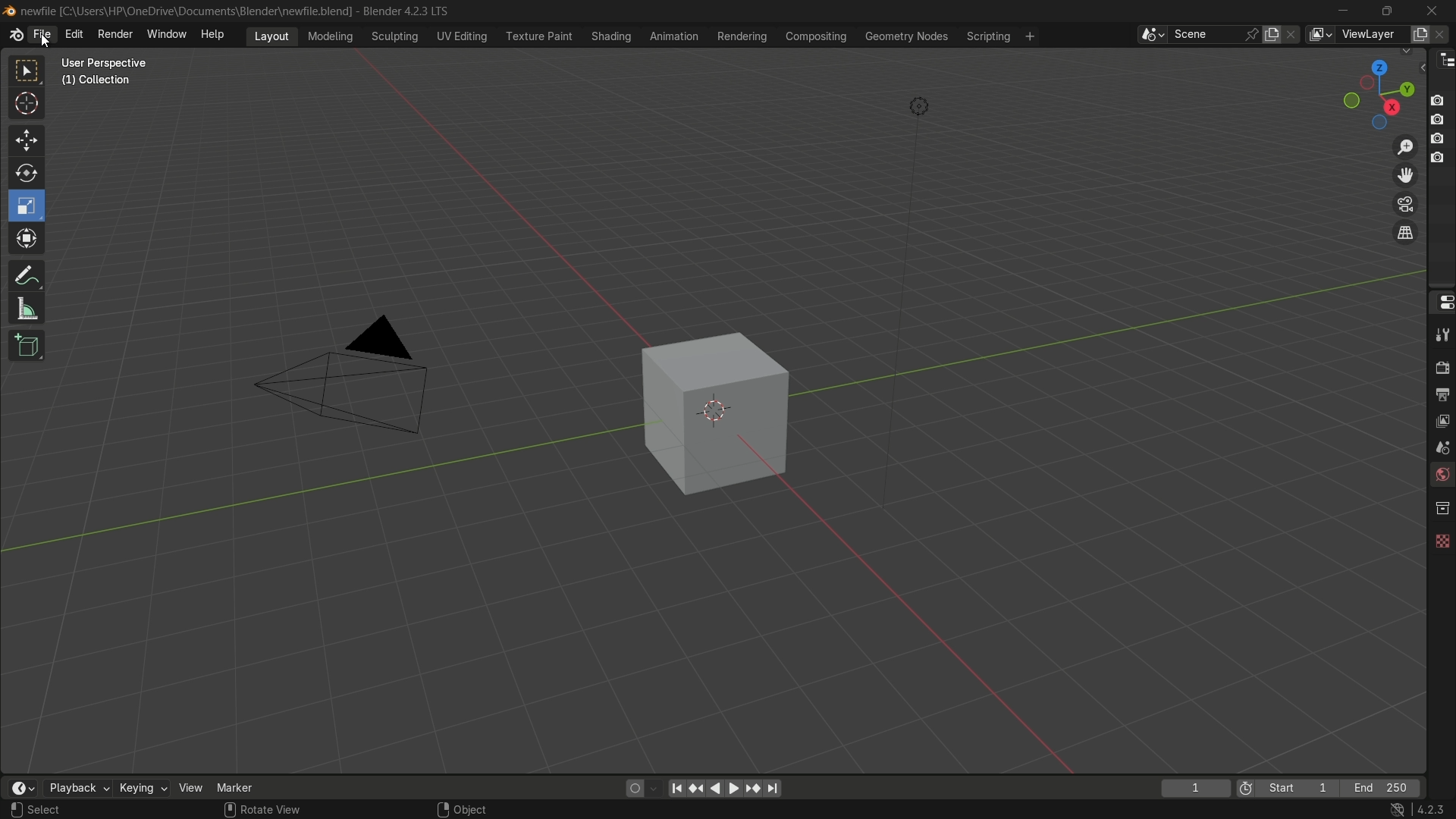 This screenshot has width=1456, height=819. Describe the element at coordinates (1404, 174) in the screenshot. I see `move view layer` at that location.